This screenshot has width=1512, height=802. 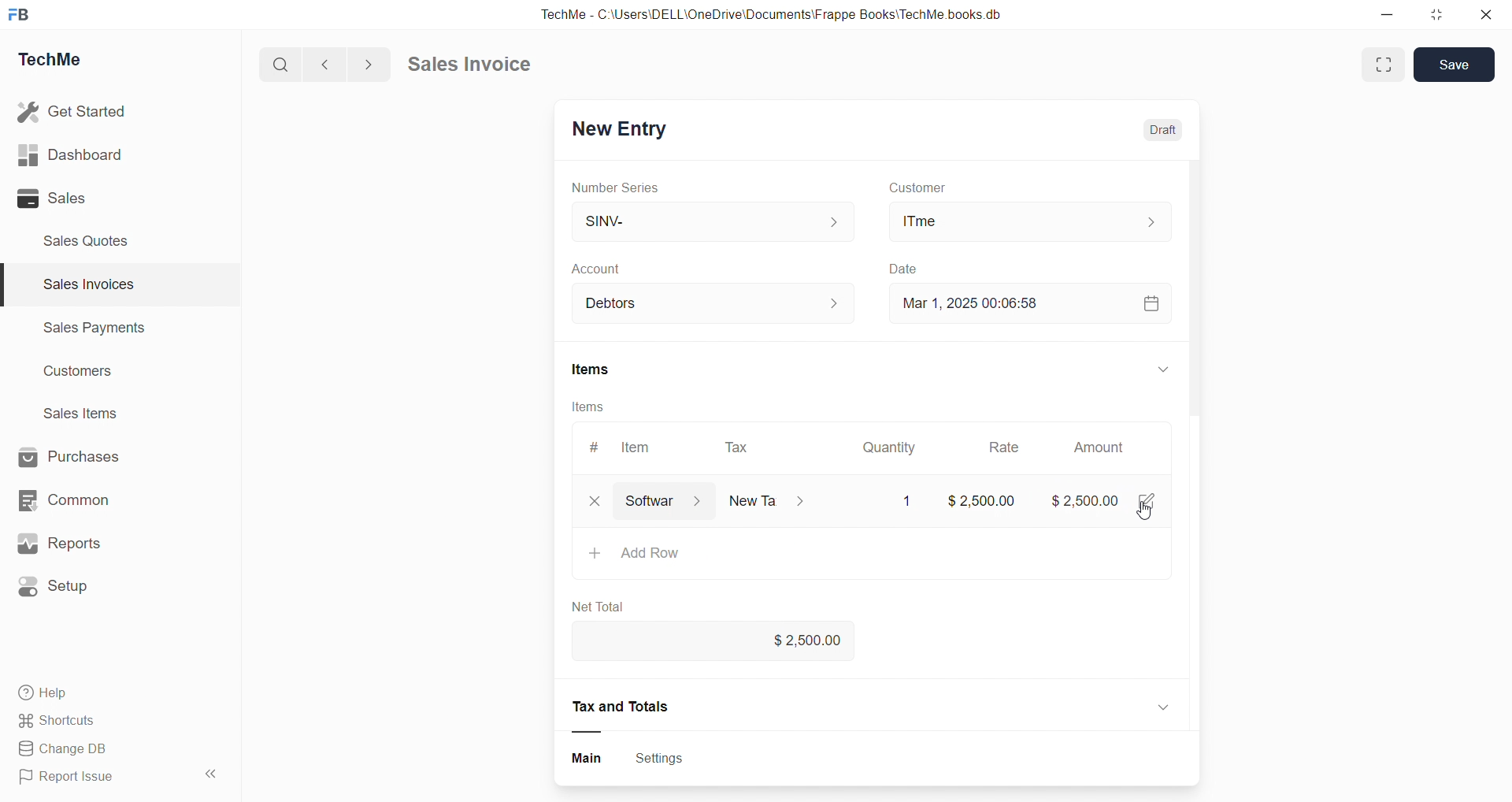 I want to click on ws Reports, so click(x=74, y=544).